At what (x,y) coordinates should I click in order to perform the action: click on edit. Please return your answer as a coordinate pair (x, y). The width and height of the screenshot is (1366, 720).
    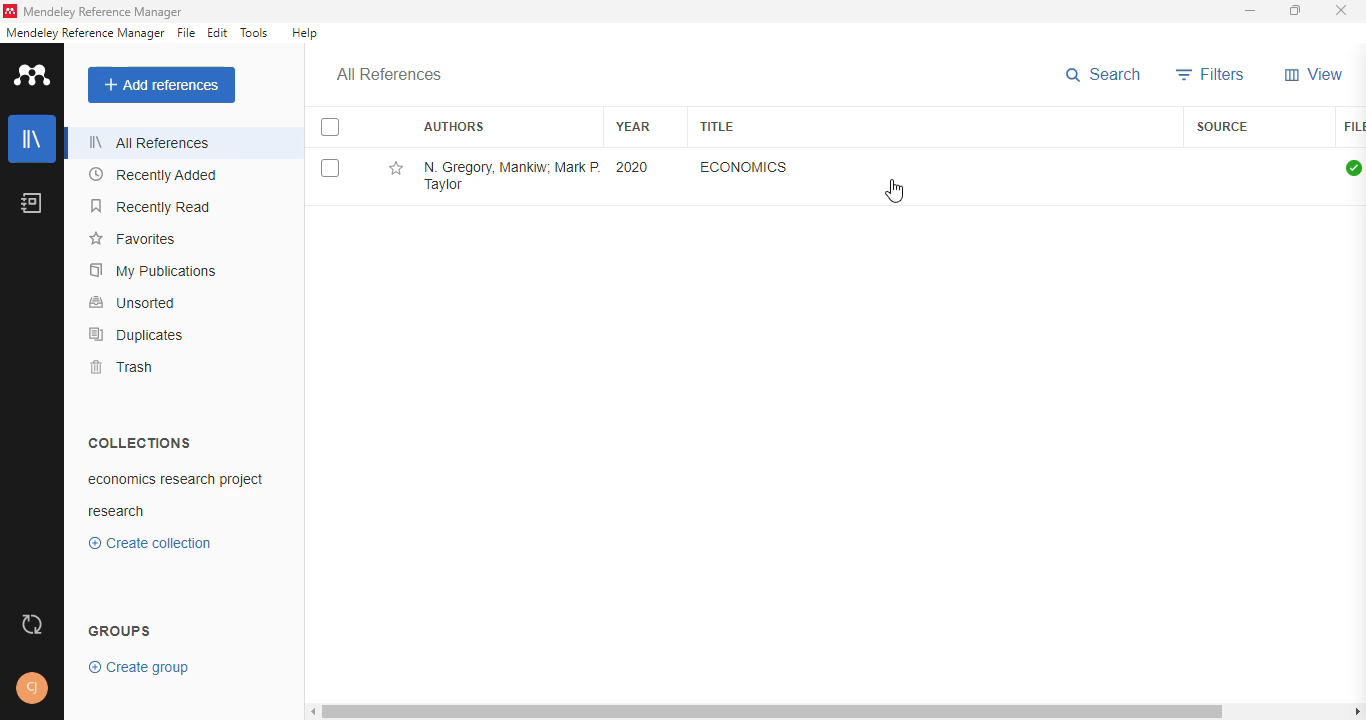
    Looking at the image, I should click on (218, 33).